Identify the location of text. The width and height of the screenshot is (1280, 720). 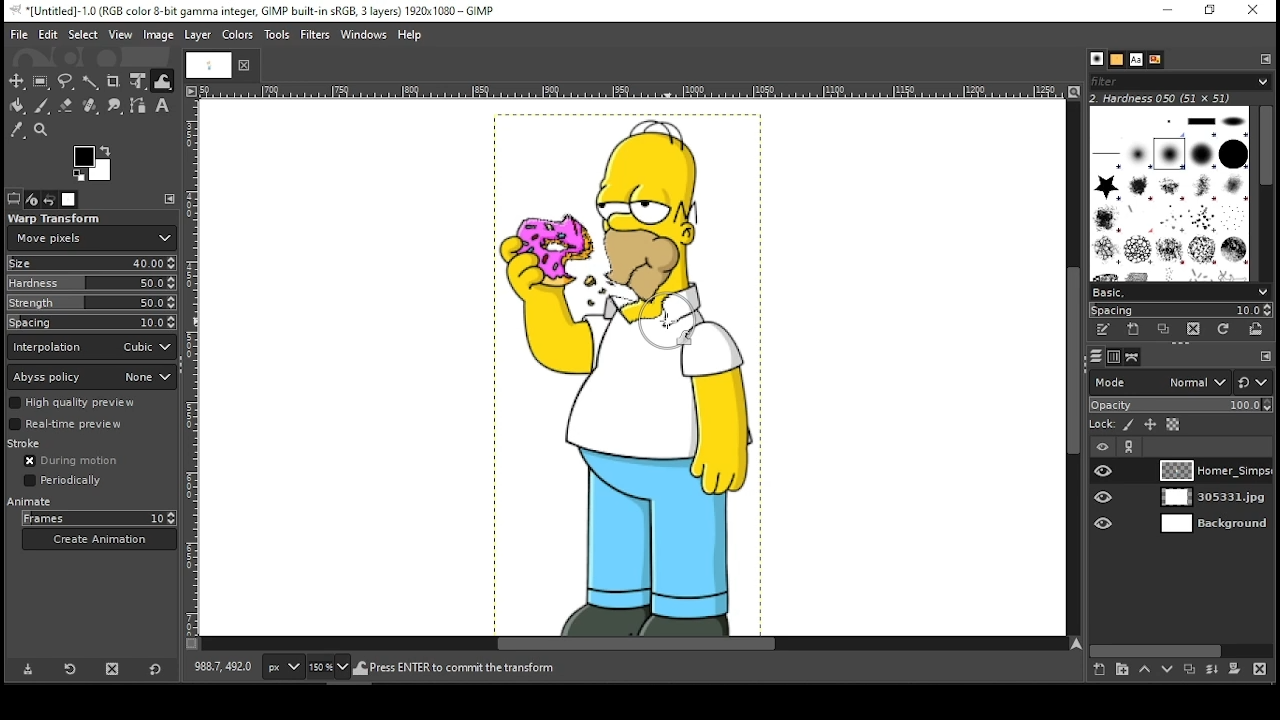
(1137, 60).